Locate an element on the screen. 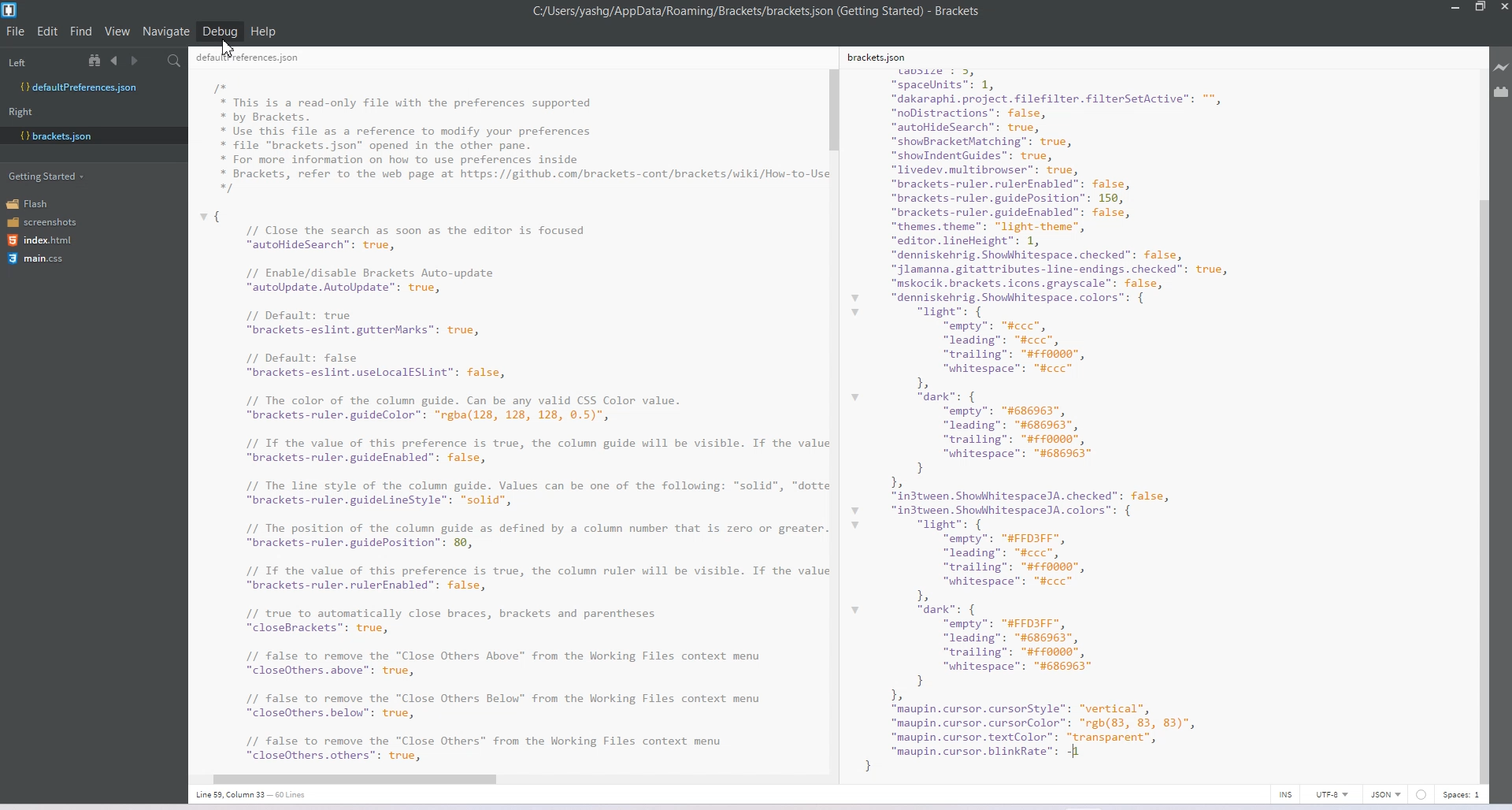 The image size is (1512, 810). UTF-8 is located at coordinates (1332, 794).